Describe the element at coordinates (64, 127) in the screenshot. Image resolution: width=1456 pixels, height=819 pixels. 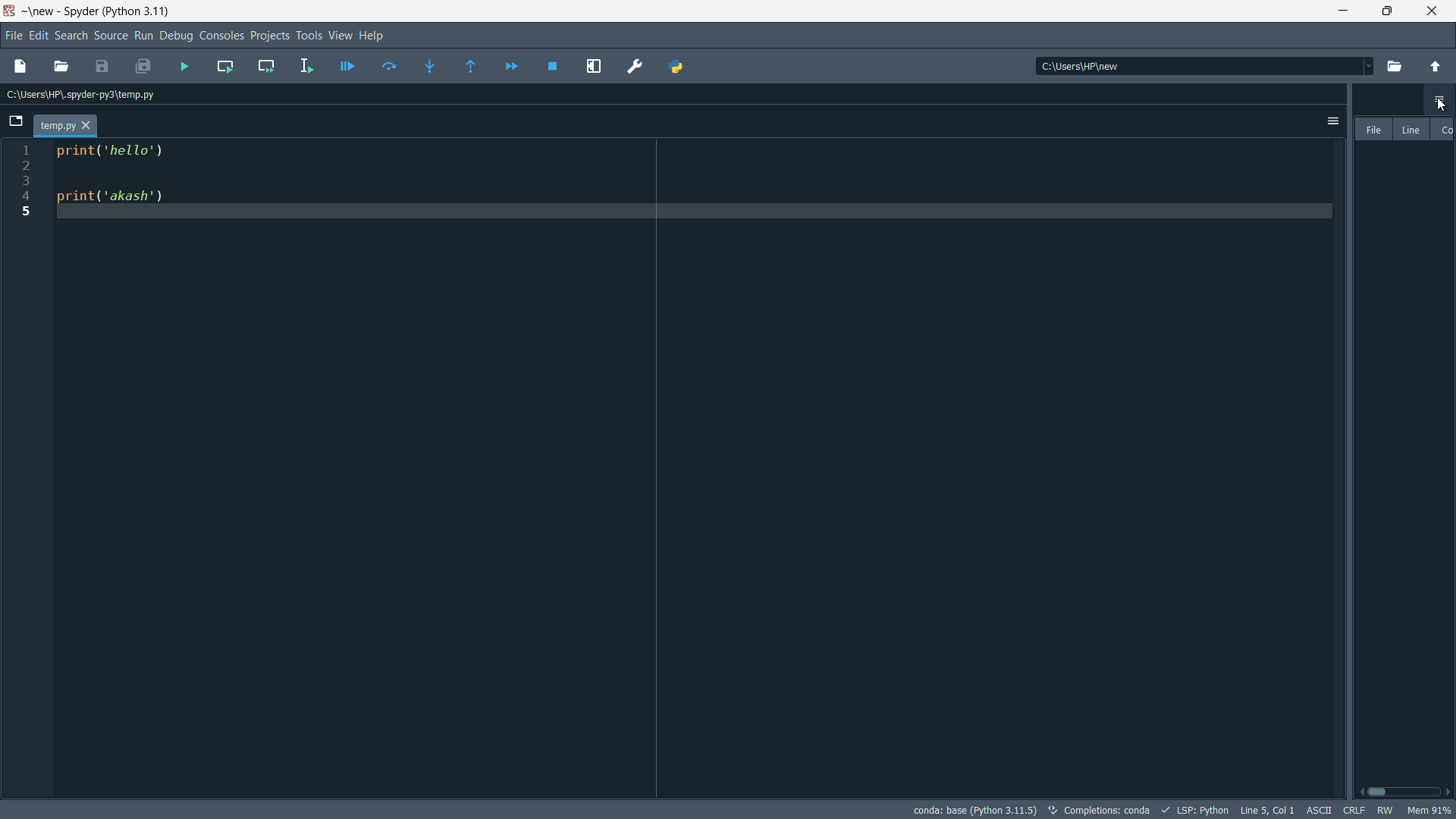
I see `file tab` at that location.